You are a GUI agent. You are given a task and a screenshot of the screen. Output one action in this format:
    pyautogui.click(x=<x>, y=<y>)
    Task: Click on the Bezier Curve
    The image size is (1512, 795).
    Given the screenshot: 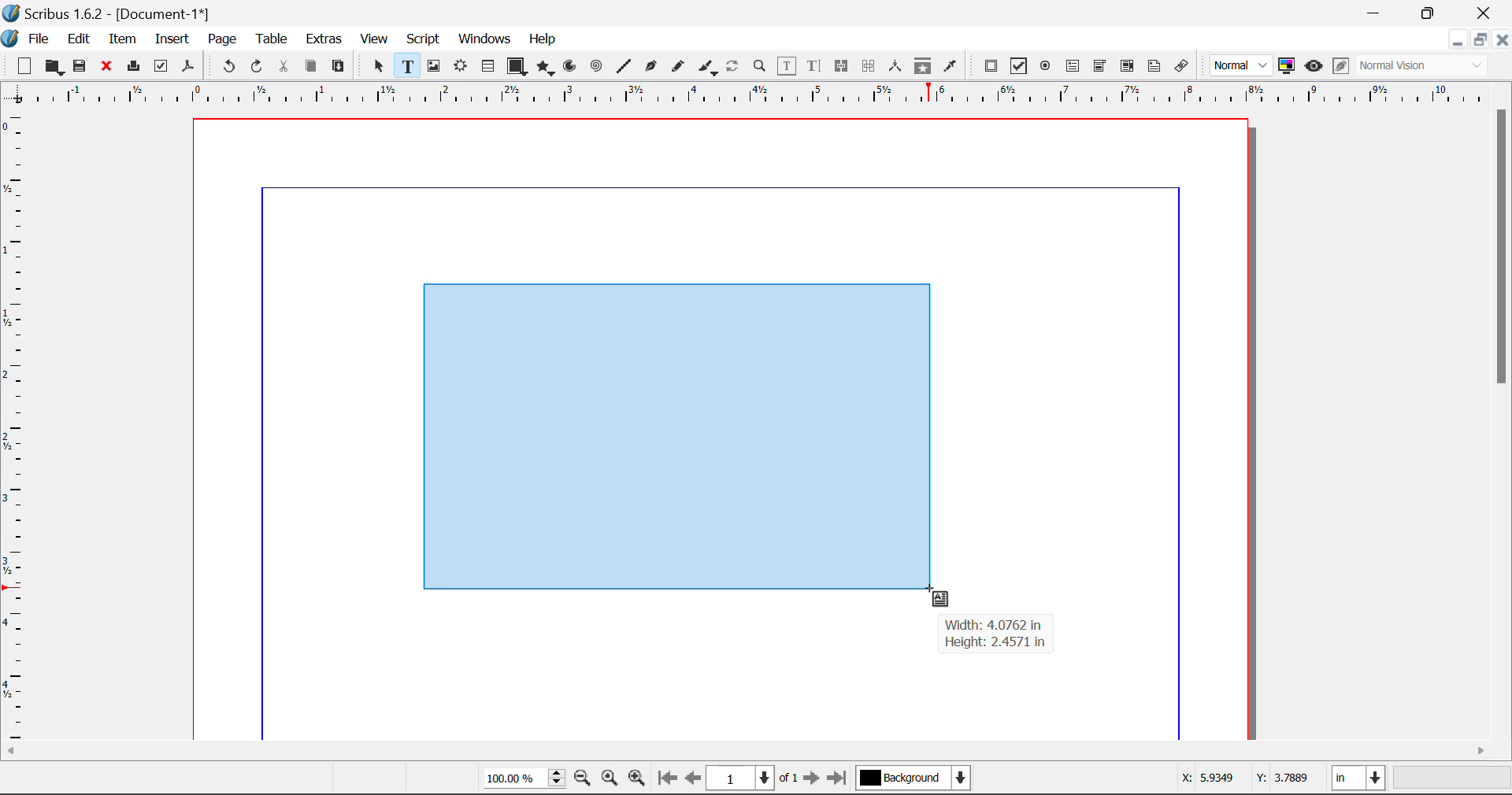 What is the action you would take?
    pyautogui.click(x=649, y=66)
    